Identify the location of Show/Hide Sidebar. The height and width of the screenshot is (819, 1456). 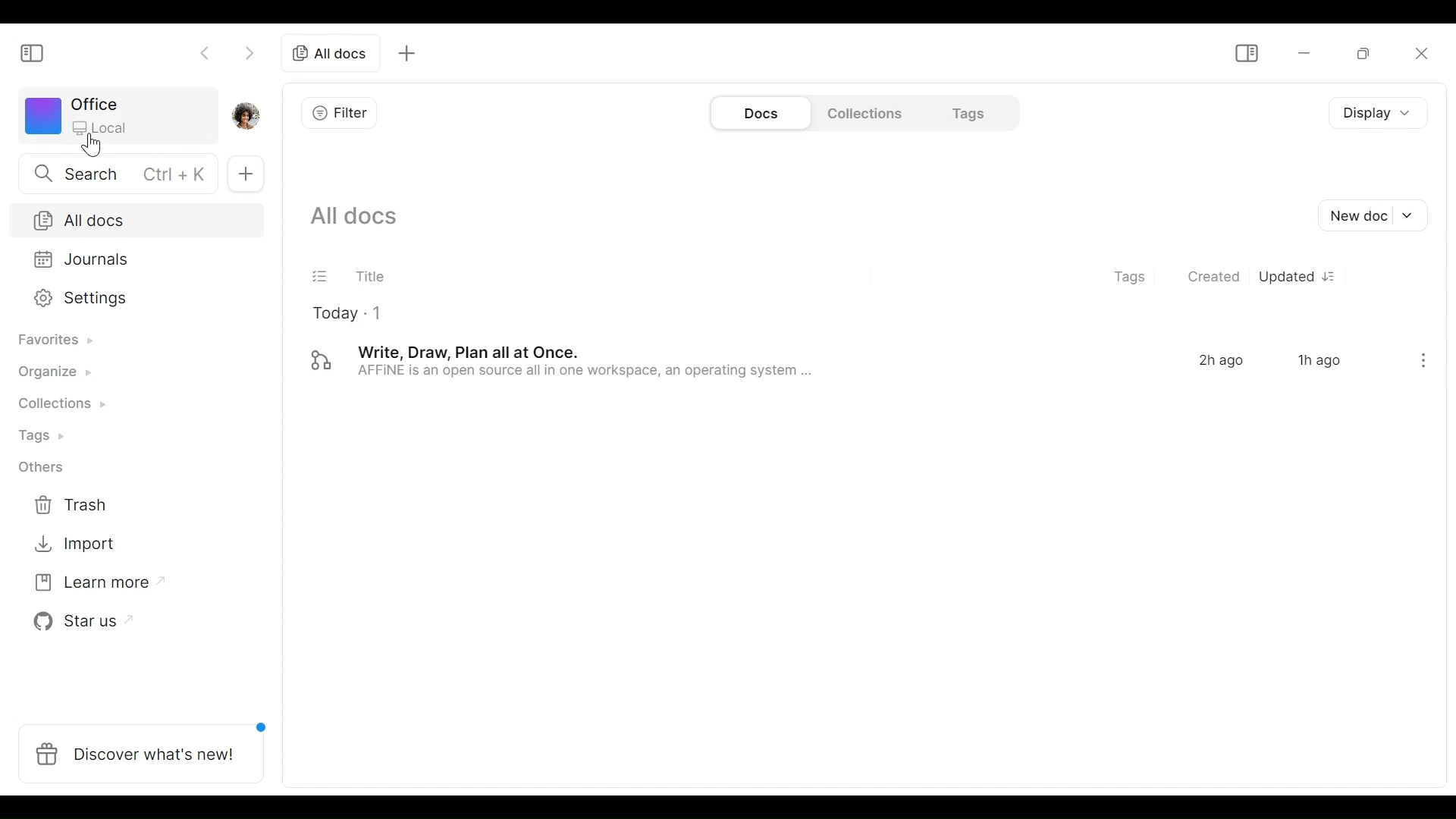
(1244, 51).